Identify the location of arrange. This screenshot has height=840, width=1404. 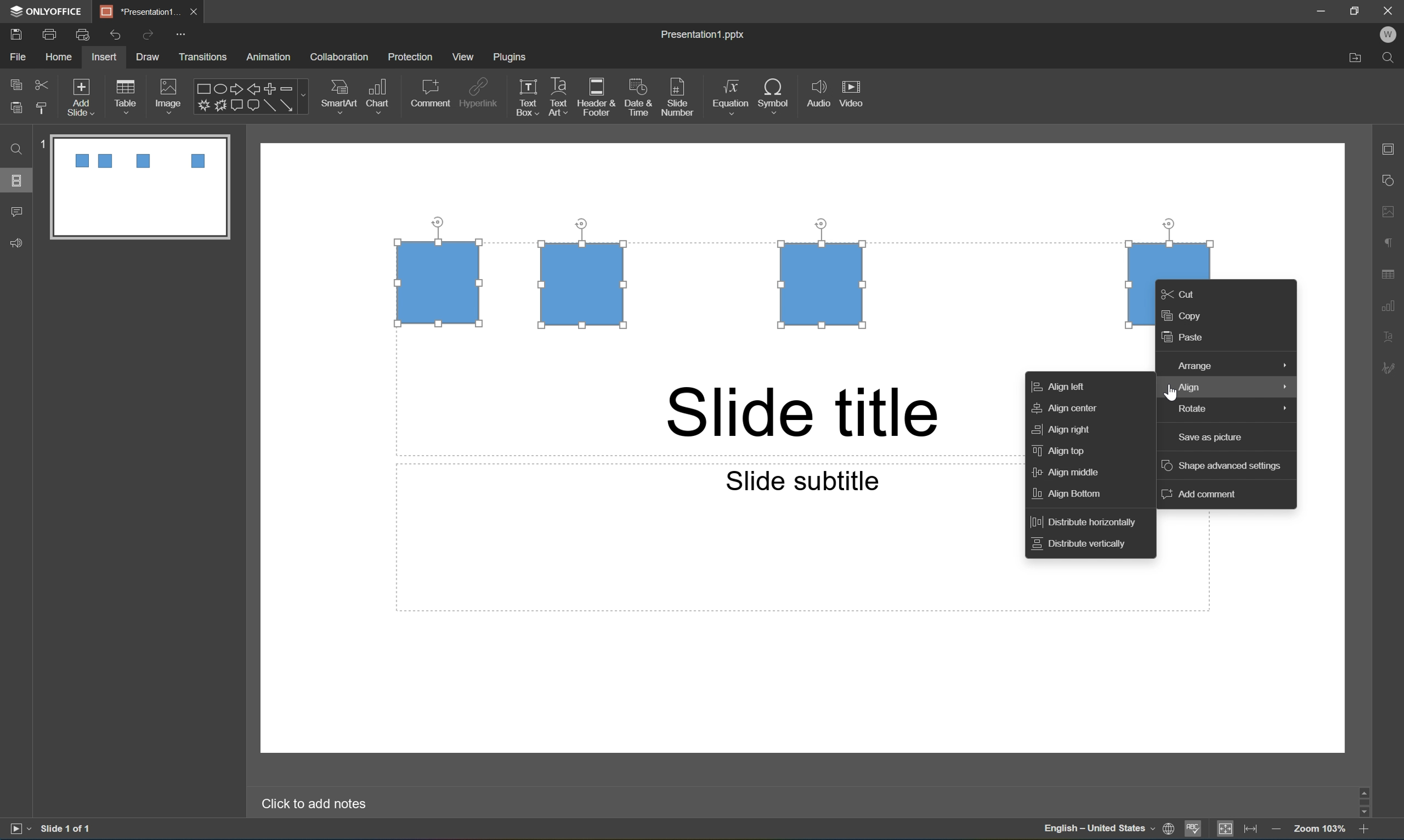
(1230, 363).